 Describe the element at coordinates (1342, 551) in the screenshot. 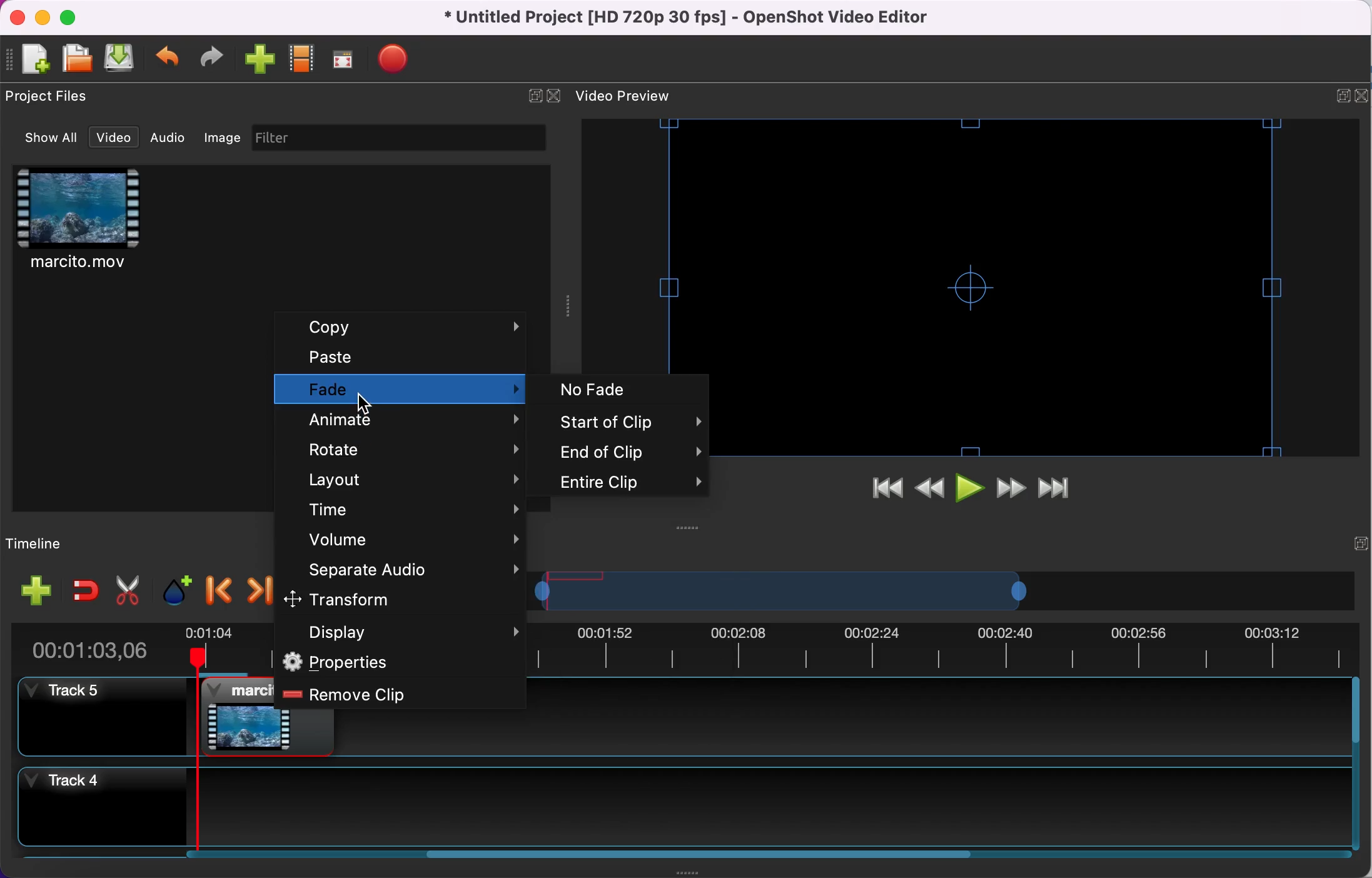

I see `expand/hide` at that location.